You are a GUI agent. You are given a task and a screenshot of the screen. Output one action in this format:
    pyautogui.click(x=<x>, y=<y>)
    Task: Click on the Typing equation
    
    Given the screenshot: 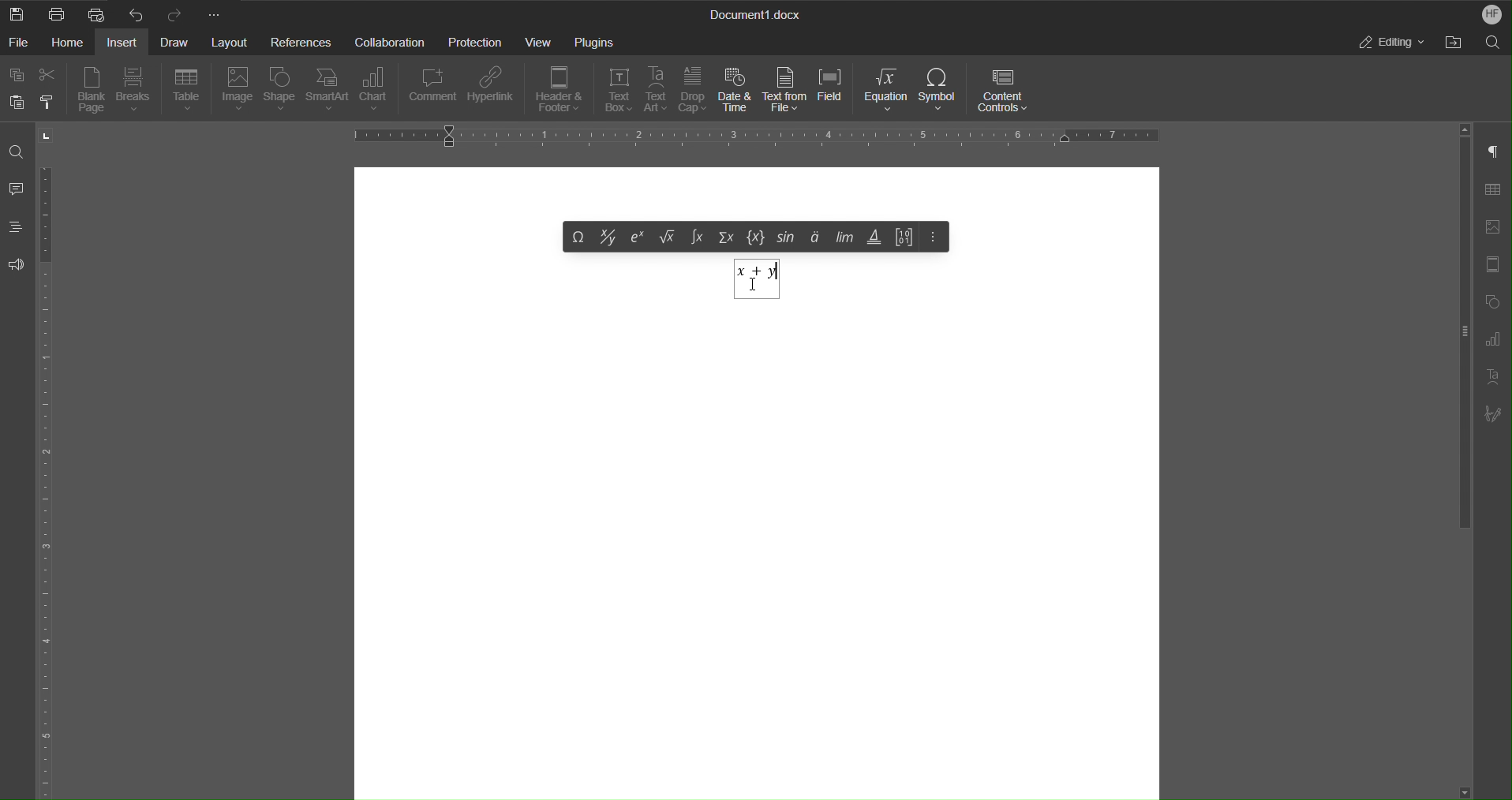 What is the action you would take?
    pyautogui.click(x=757, y=271)
    